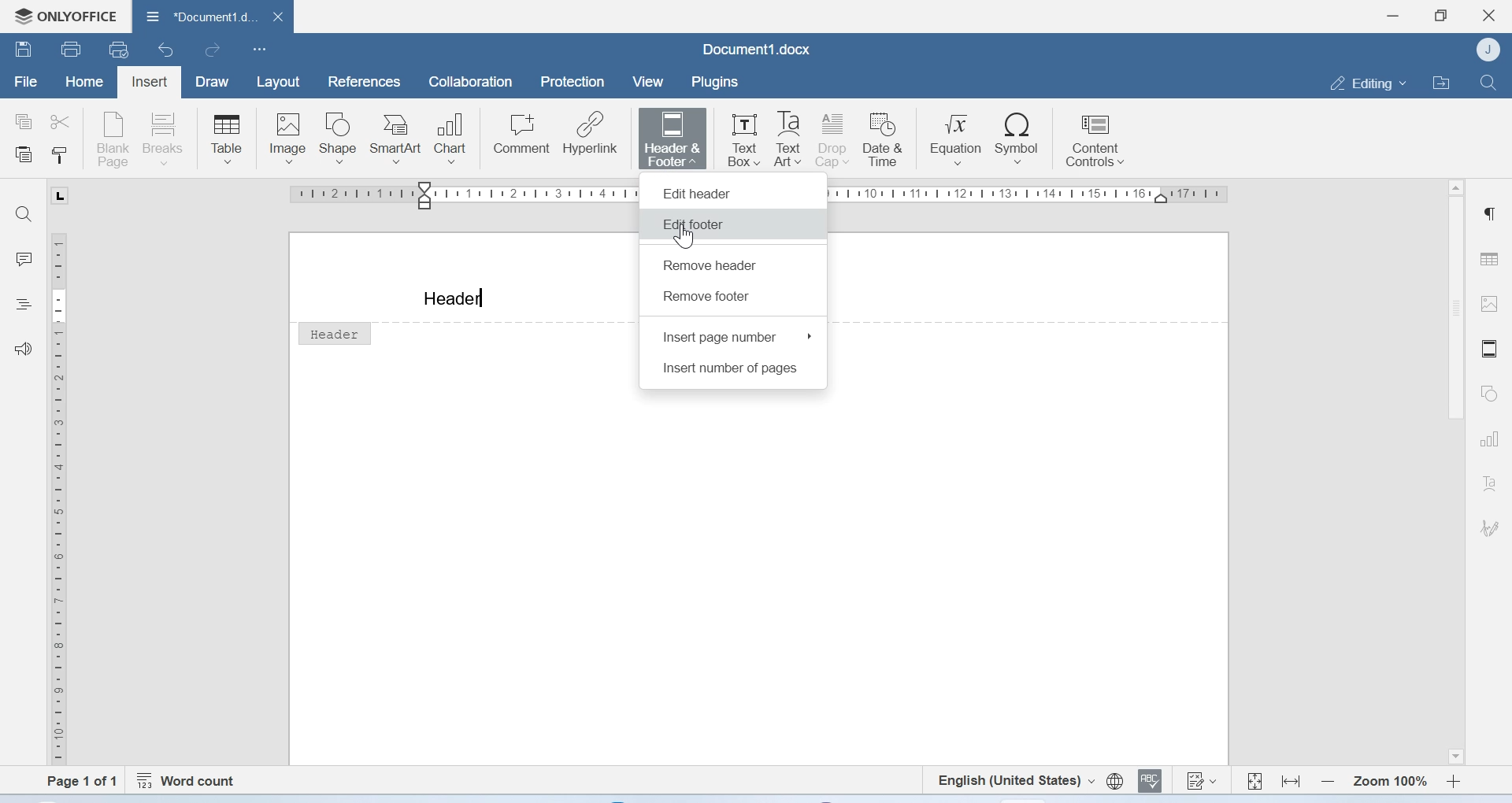 Image resolution: width=1512 pixels, height=803 pixels. What do you see at coordinates (1254, 779) in the screenshot?
I see `Fit to page` at bounding box center [1254, 779].